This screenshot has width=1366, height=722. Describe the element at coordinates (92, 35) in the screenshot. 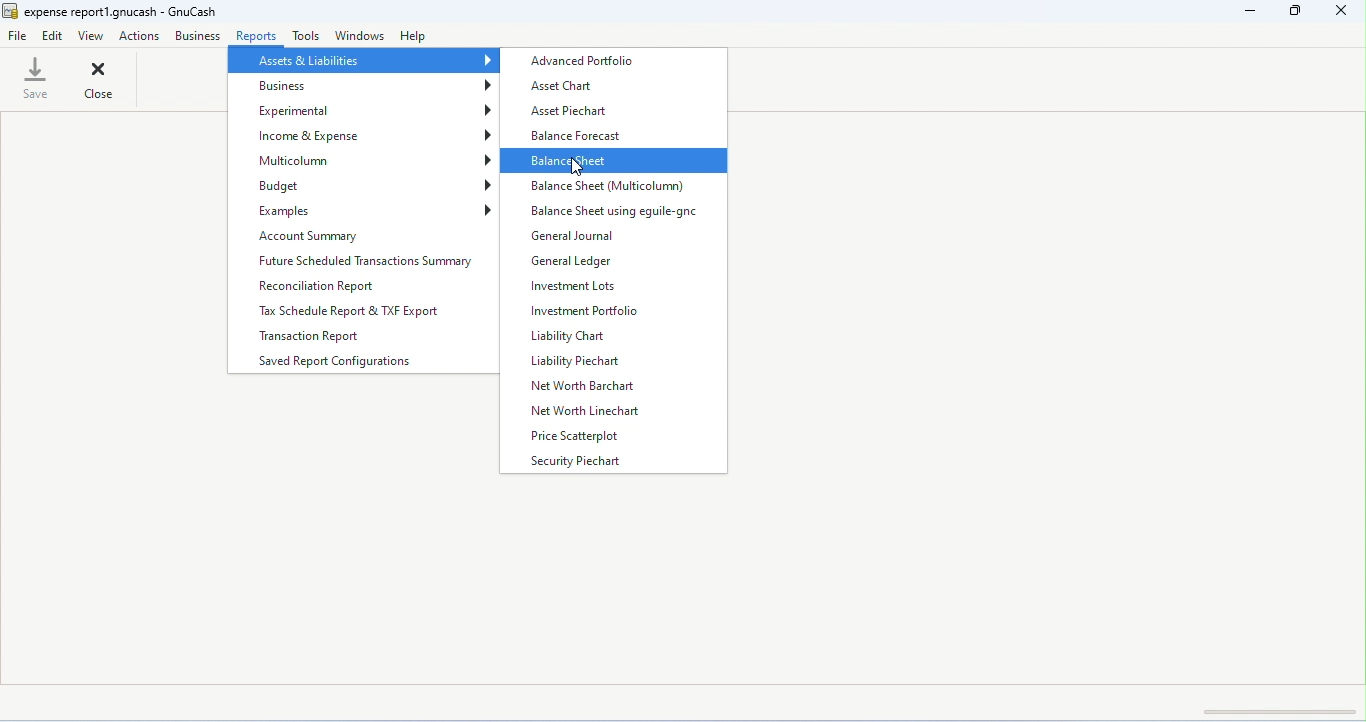

I see `view` at that location.